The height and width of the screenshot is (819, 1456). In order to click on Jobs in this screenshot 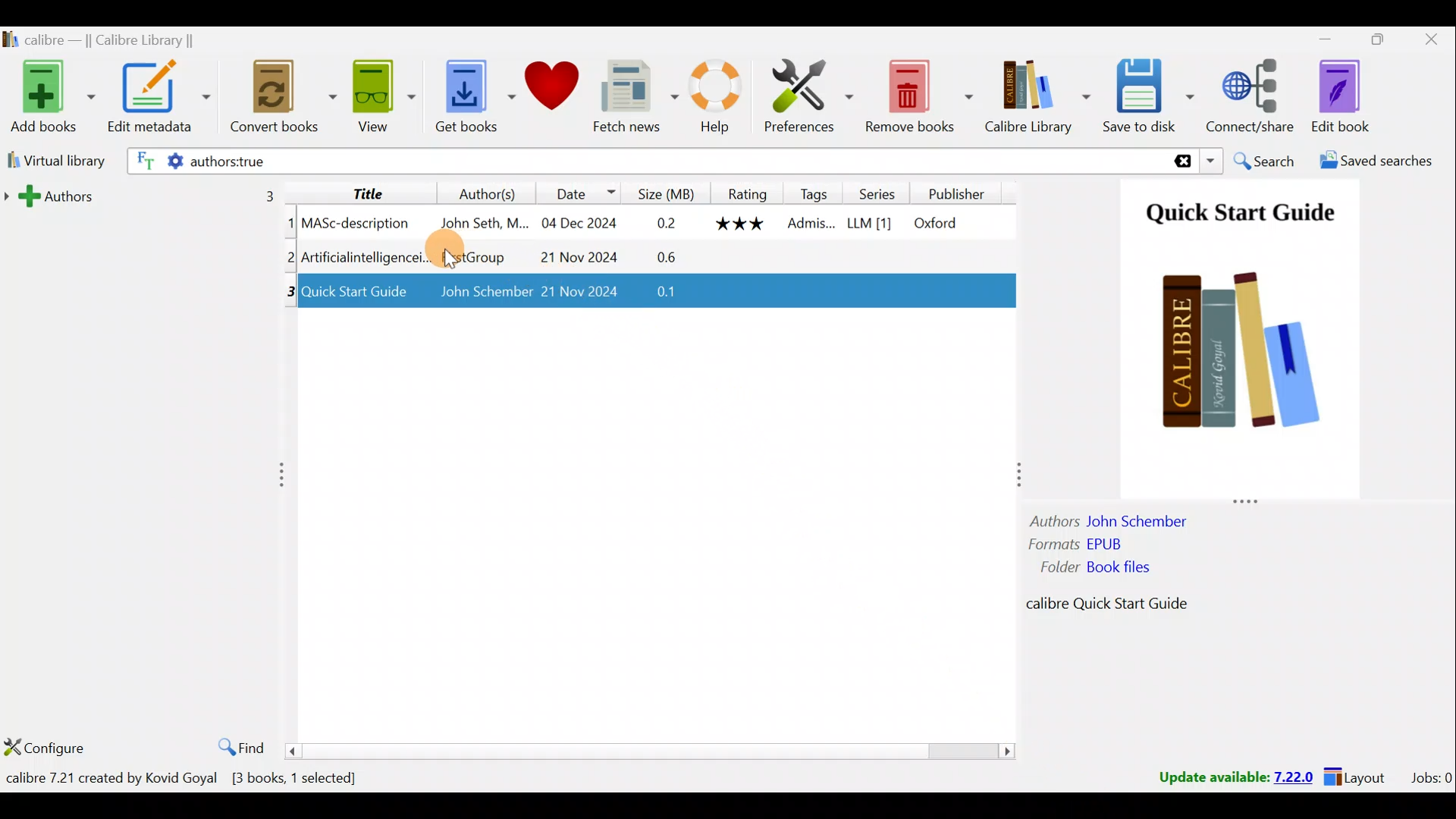, I will do `click(1430, 777)`.